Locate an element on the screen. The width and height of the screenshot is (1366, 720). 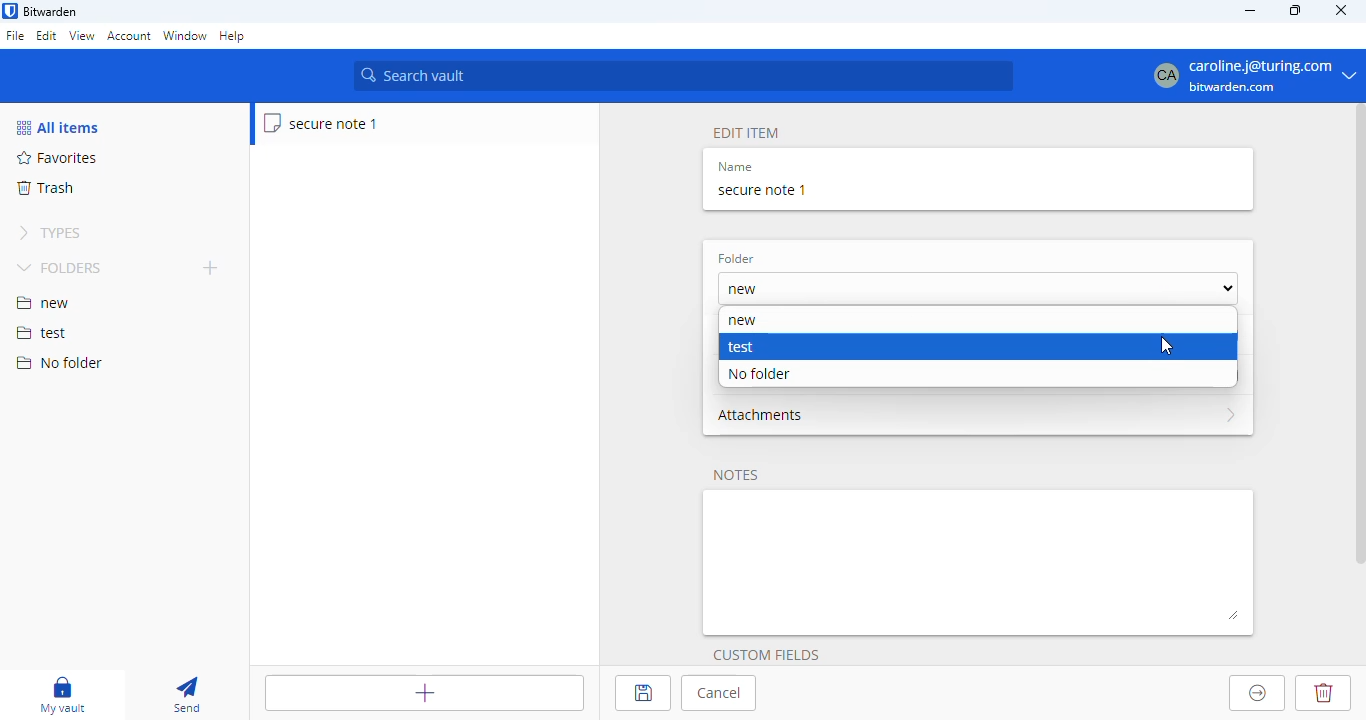
all items is located at coordinates (57, 127).